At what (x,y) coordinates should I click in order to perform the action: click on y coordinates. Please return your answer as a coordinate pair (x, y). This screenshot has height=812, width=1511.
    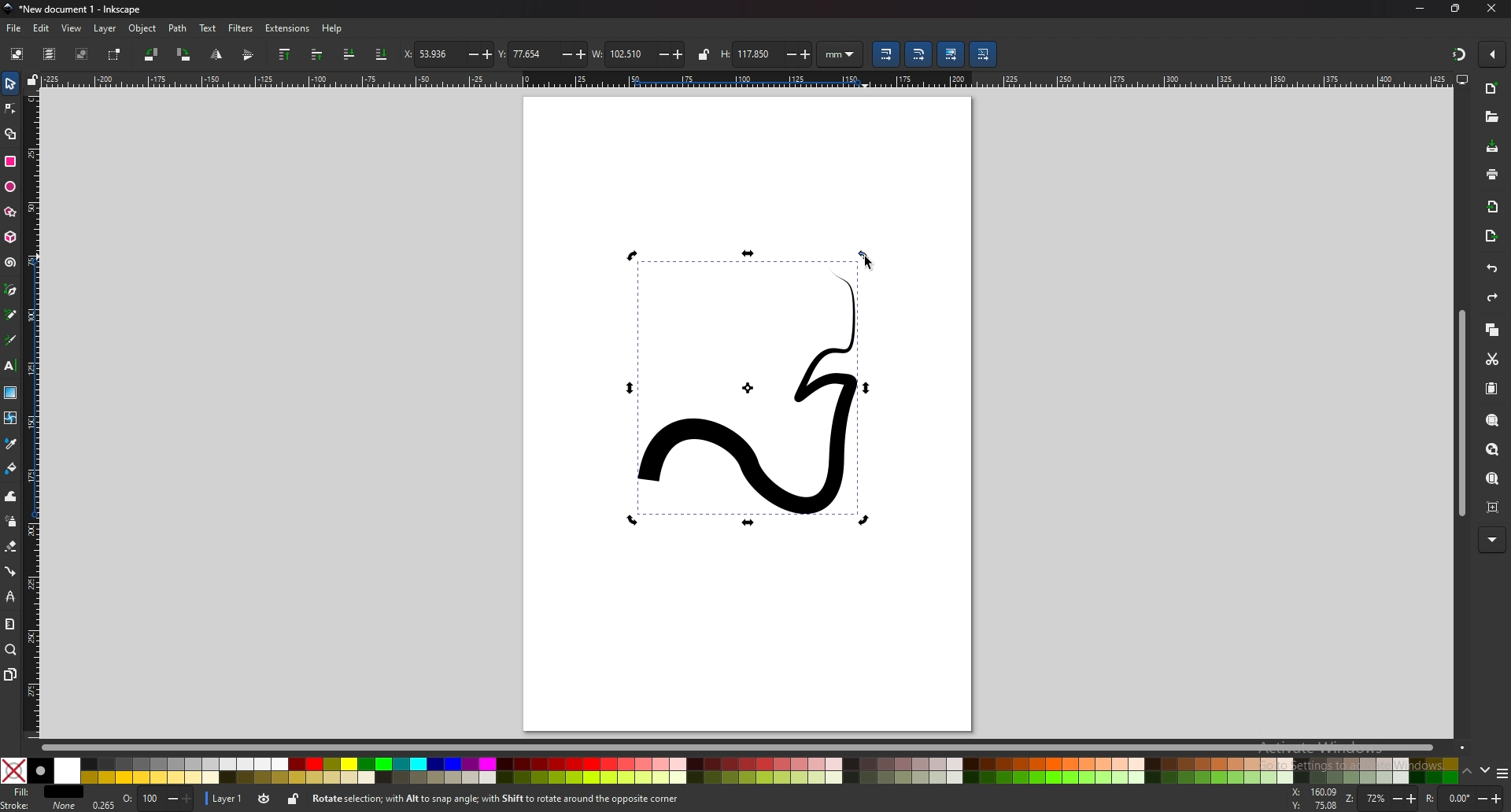
    Looking at the image, I should click on (540, 54).